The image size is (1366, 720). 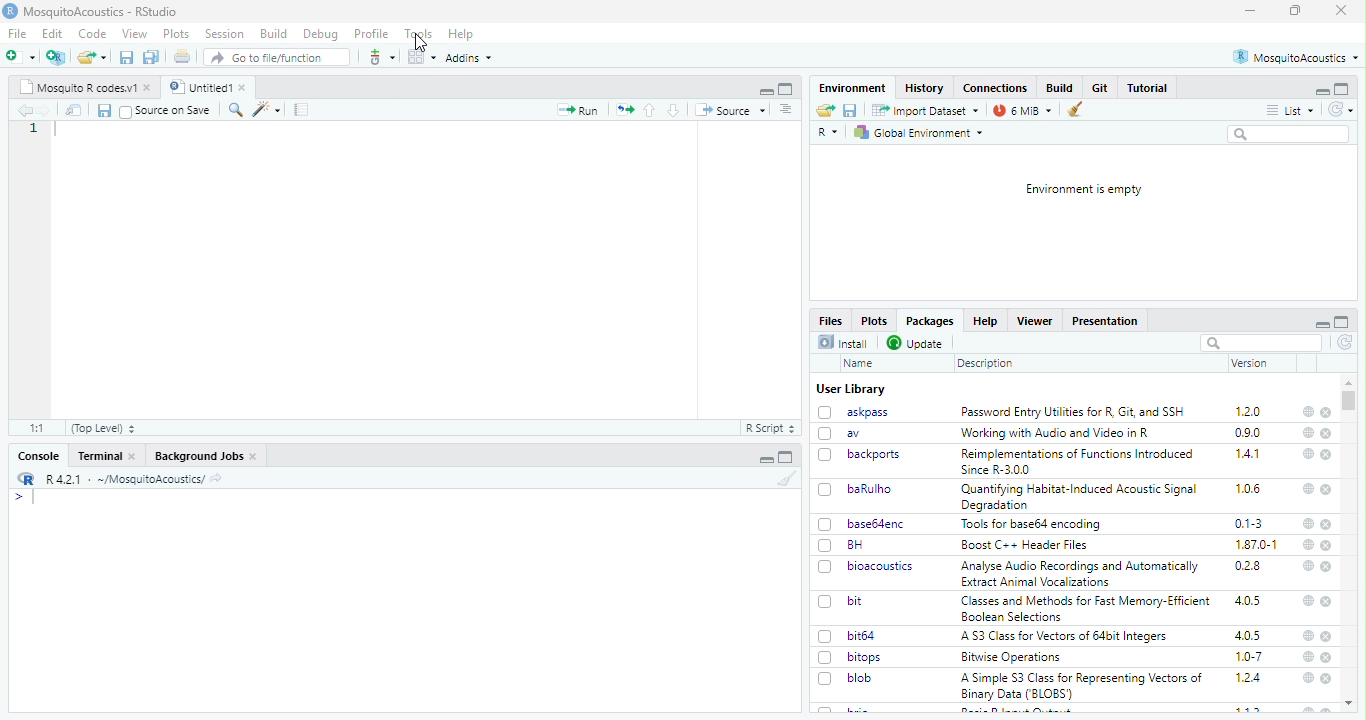 I want to click on grid, so click(x=421, y=57).